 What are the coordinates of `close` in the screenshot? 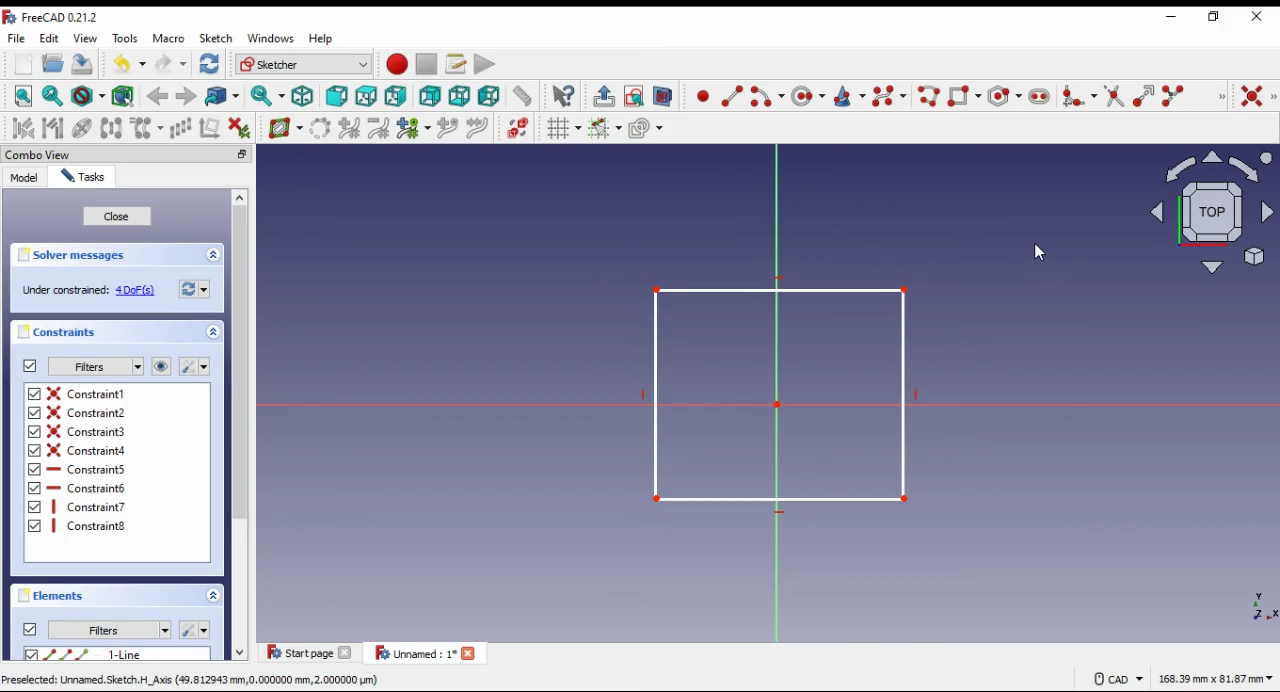 It's located at (117, 217).